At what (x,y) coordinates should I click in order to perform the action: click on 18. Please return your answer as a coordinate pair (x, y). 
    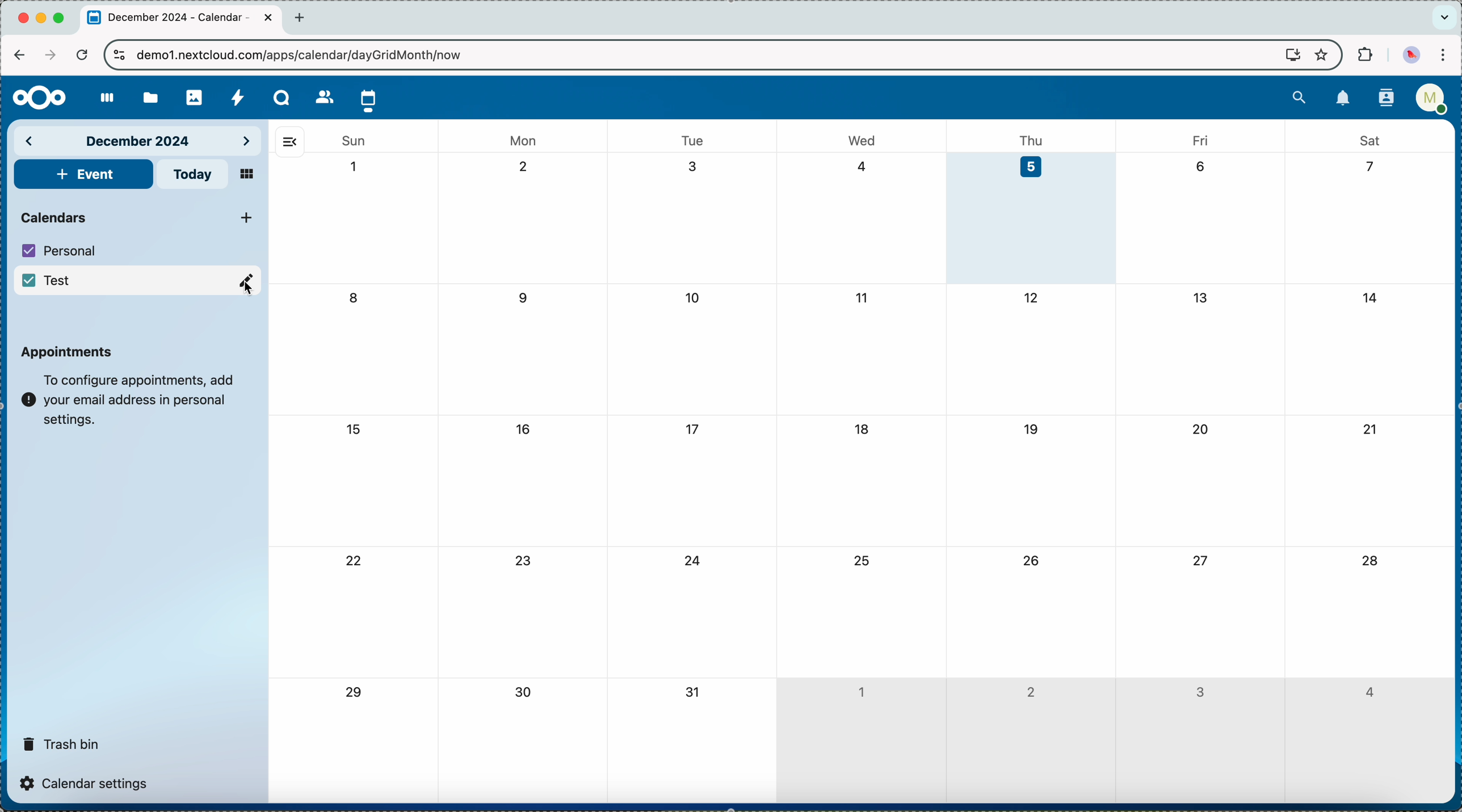
    Looking at the image, I should click on (863, 429).